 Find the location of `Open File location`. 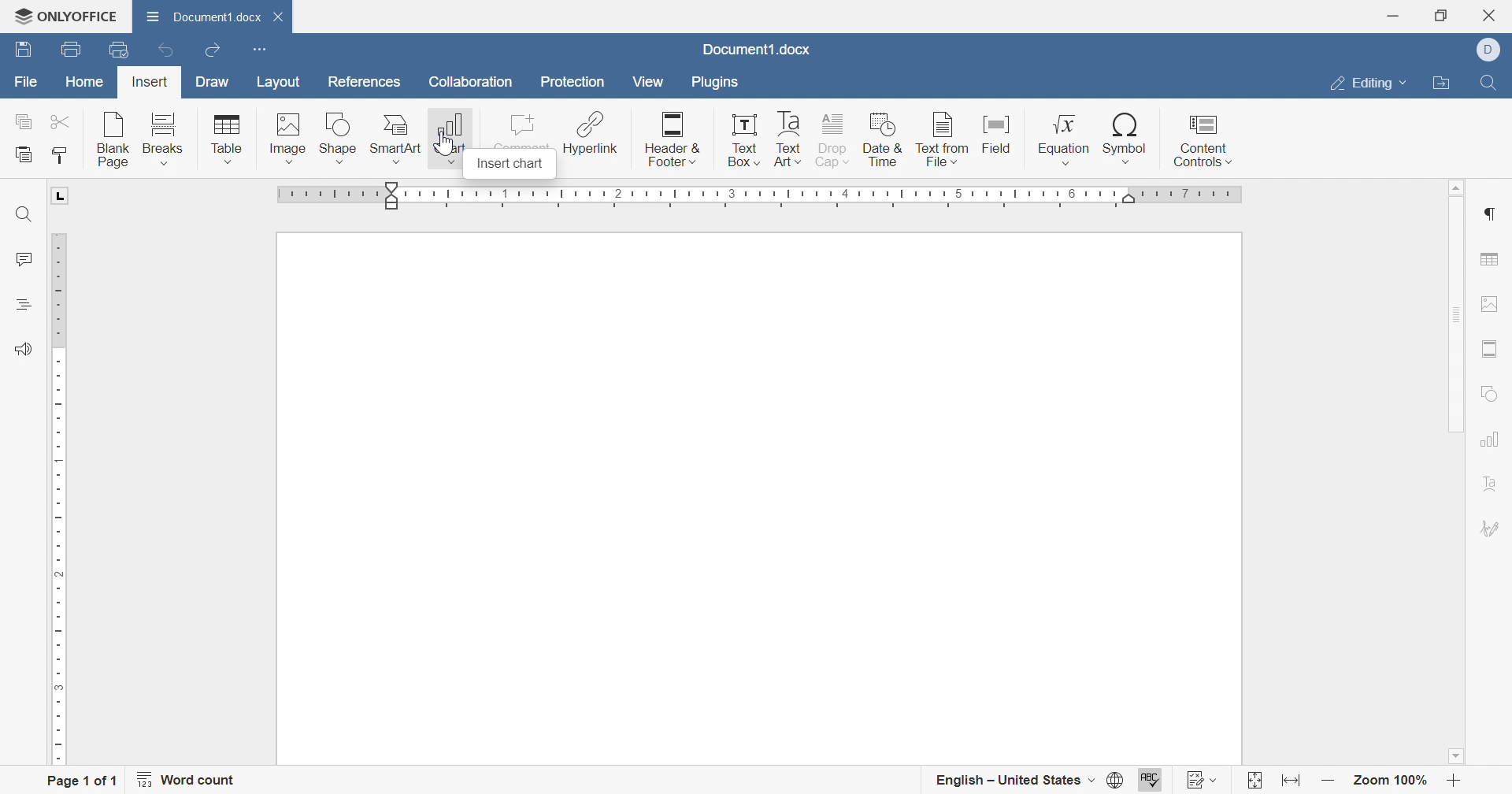

Open File location is located at coordinates (1444, 83).